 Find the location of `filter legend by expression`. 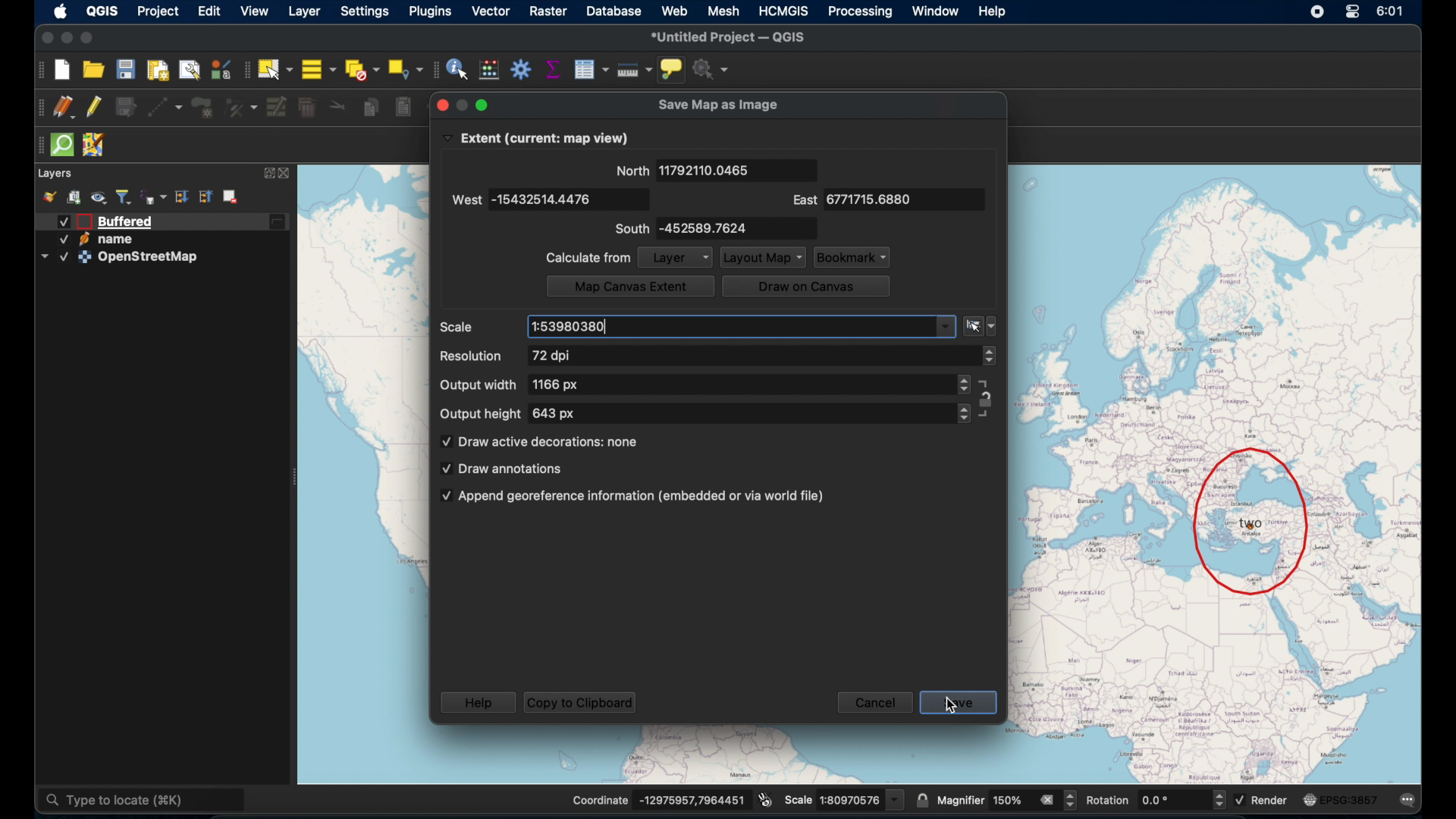

filter legend by expression is located at coordinates (154, 195).